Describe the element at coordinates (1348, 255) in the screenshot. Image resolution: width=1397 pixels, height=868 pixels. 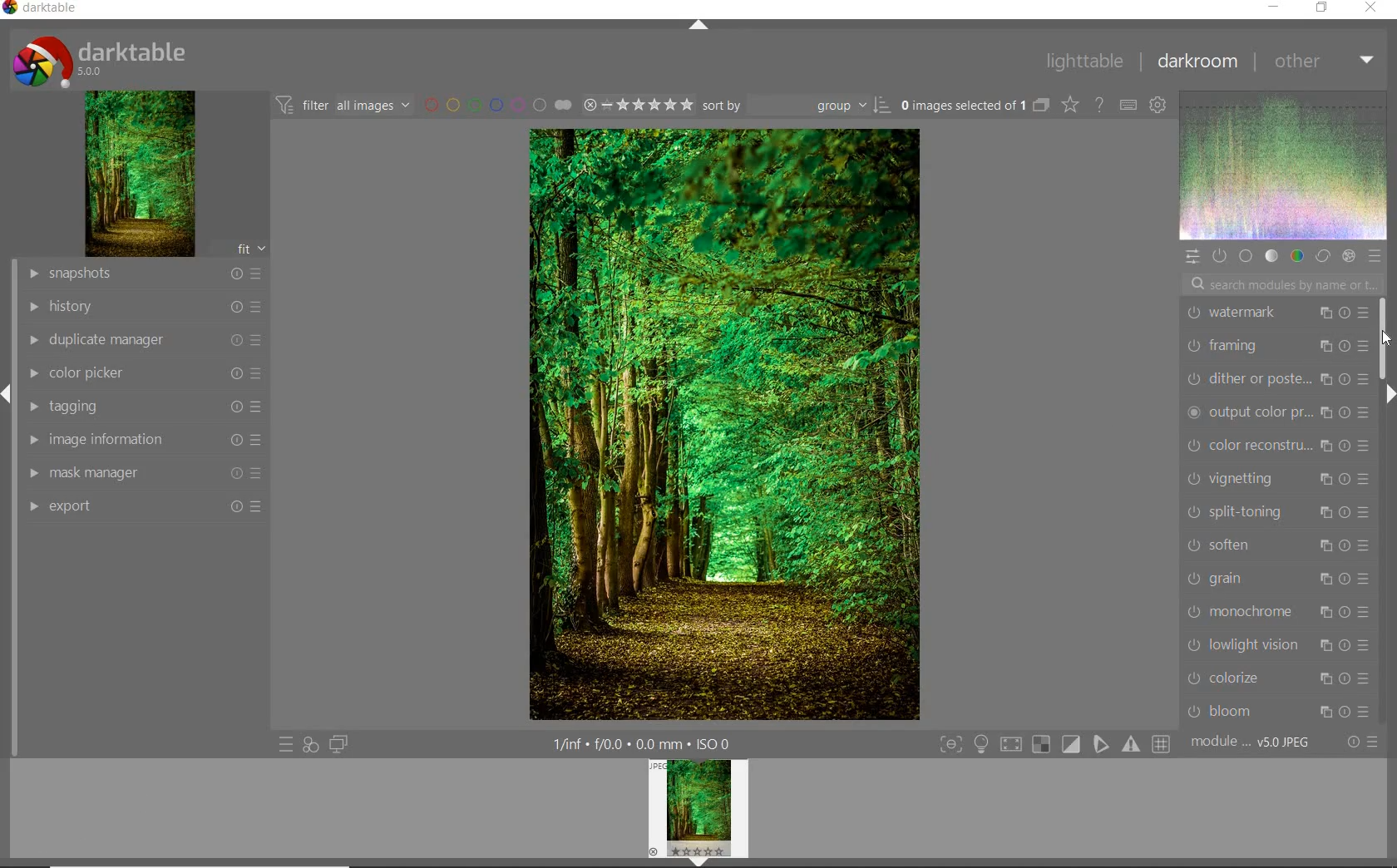
I see `EFFECT` at that location.